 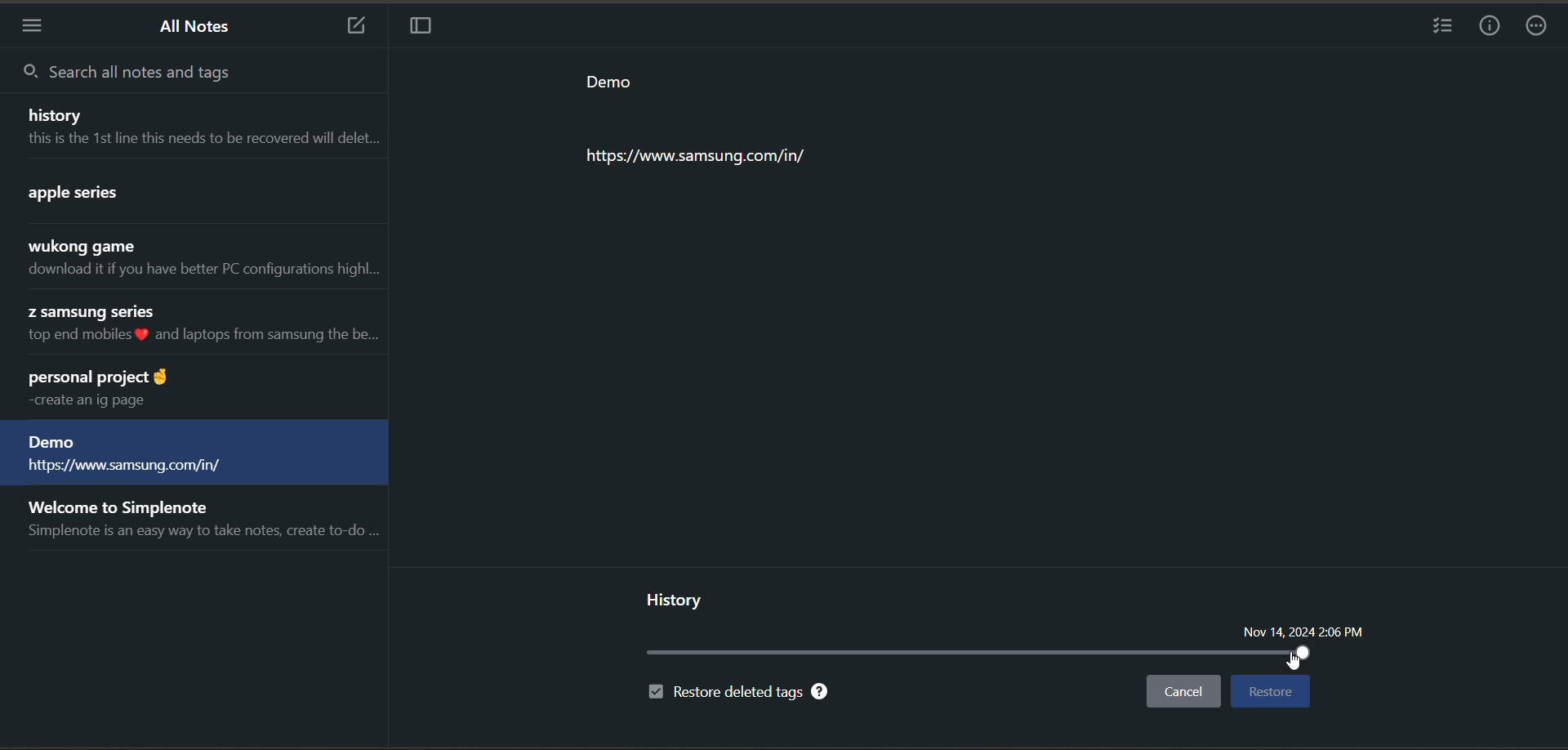 What do you see at coordinates (1268, 691) in the screenshot?
I see `restore` at bounding box center [1268, 691].